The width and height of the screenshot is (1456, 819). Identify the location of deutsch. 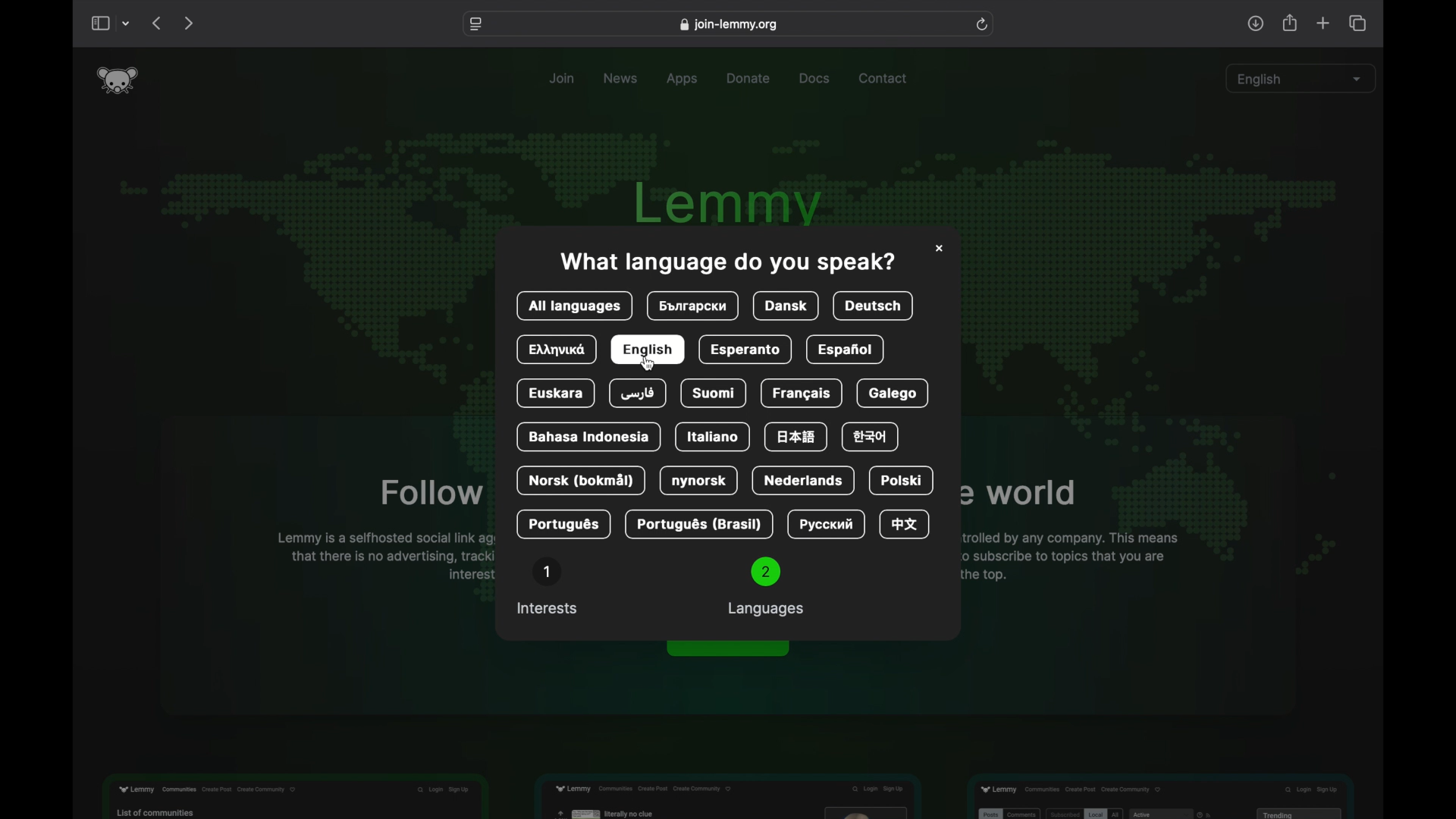
(875, 306).